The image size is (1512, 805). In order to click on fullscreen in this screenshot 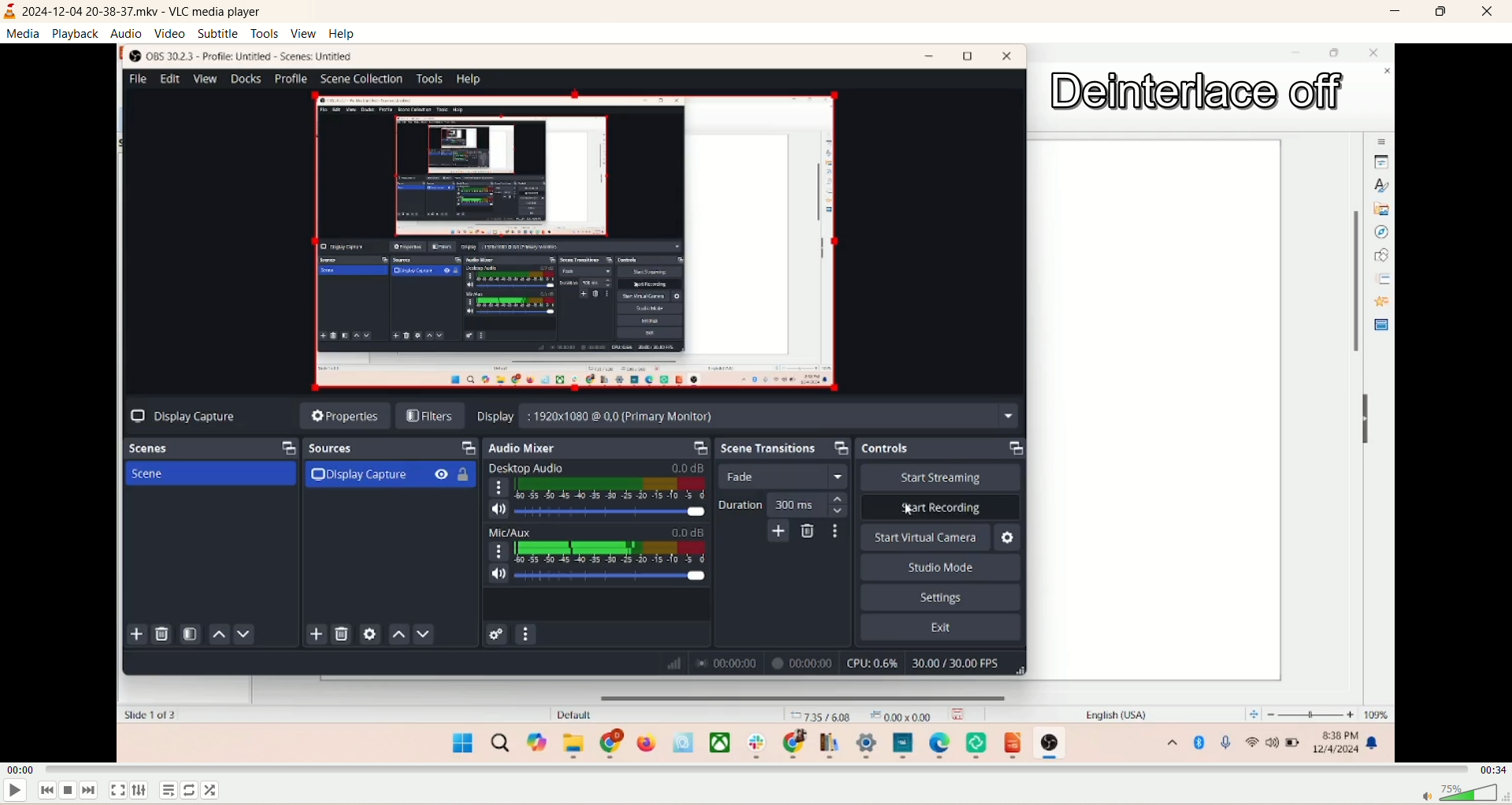, I will do `click(117, 791)`.